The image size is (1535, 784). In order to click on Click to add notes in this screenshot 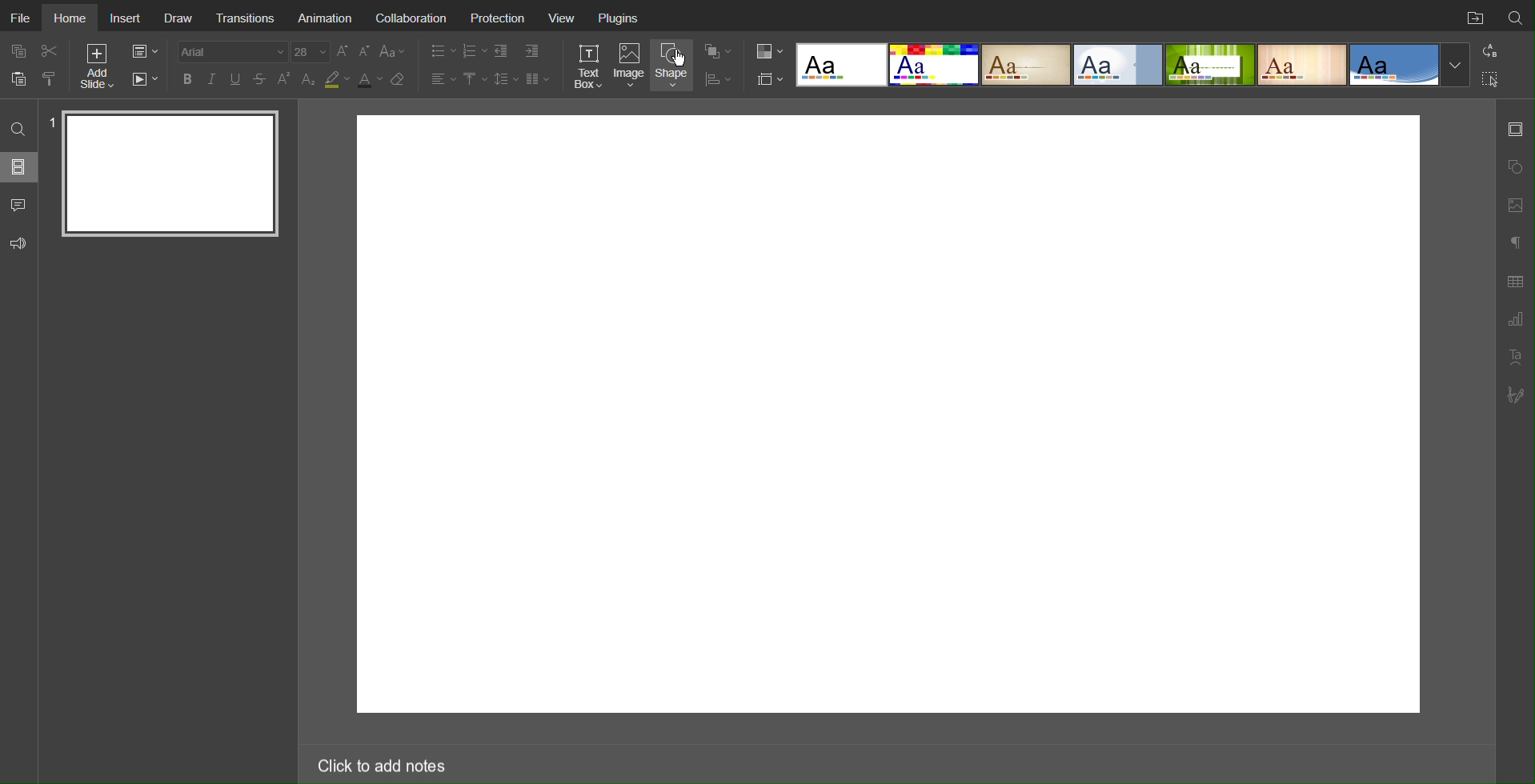, I will do `click(380, 762)`.